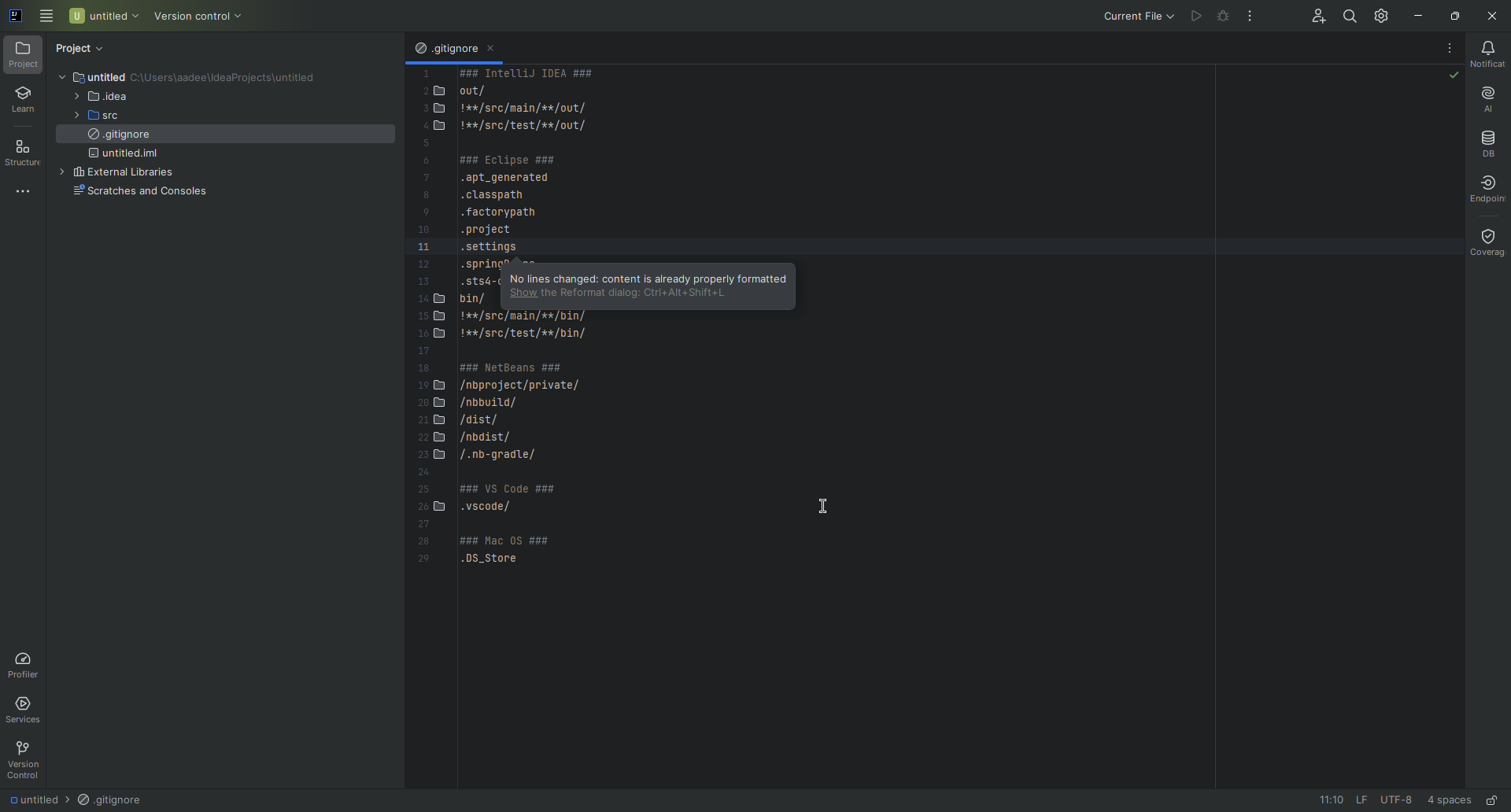  What do you see at coordinates (496, 51) in the screenshot?
I see `Close` at bounding box center [496, 51].